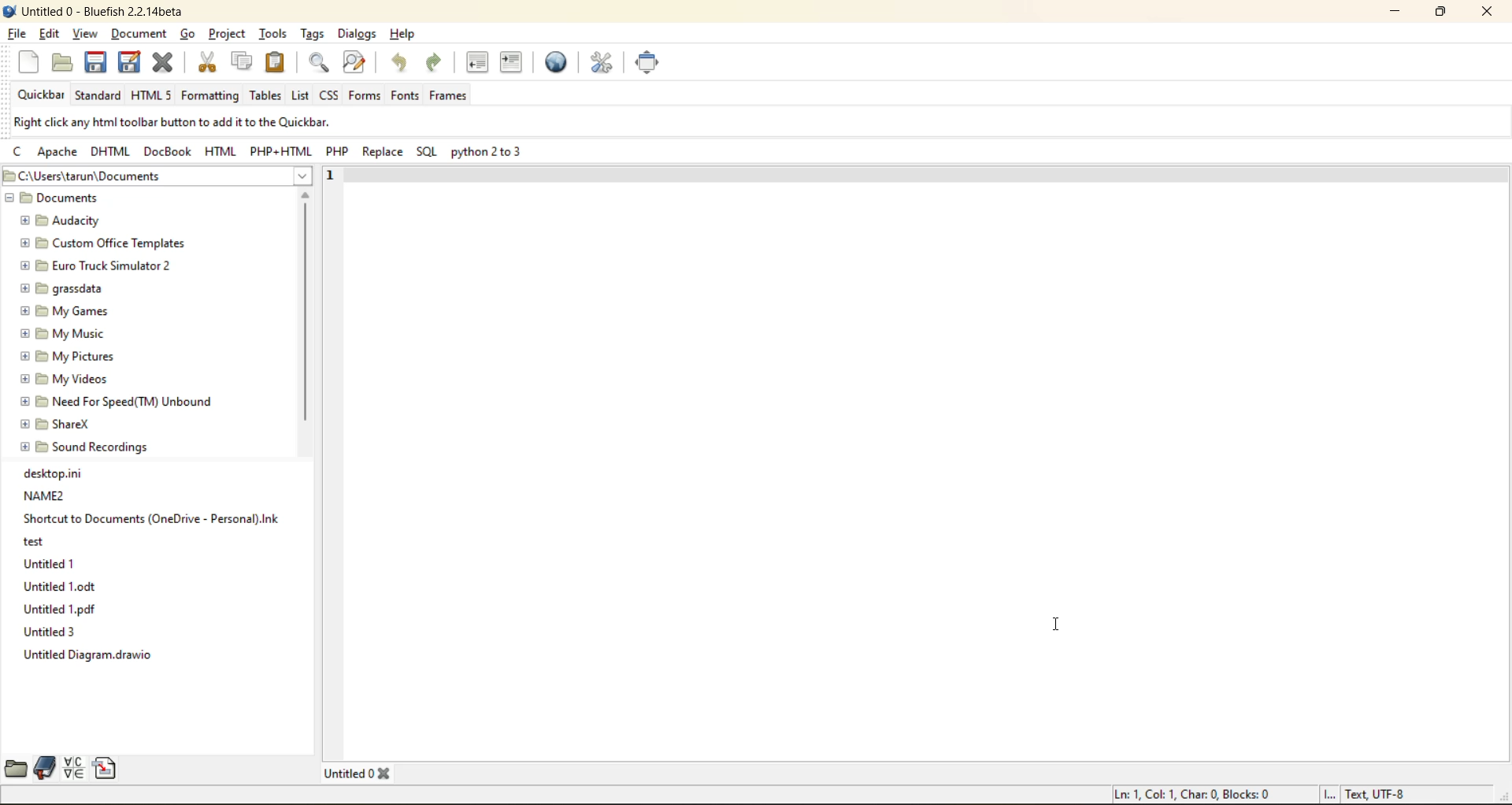 The height and width of the screenshot is (805, 1512). Describe the element at coordinates (74, 768) in the screenshot. I see `charmap` at that location.